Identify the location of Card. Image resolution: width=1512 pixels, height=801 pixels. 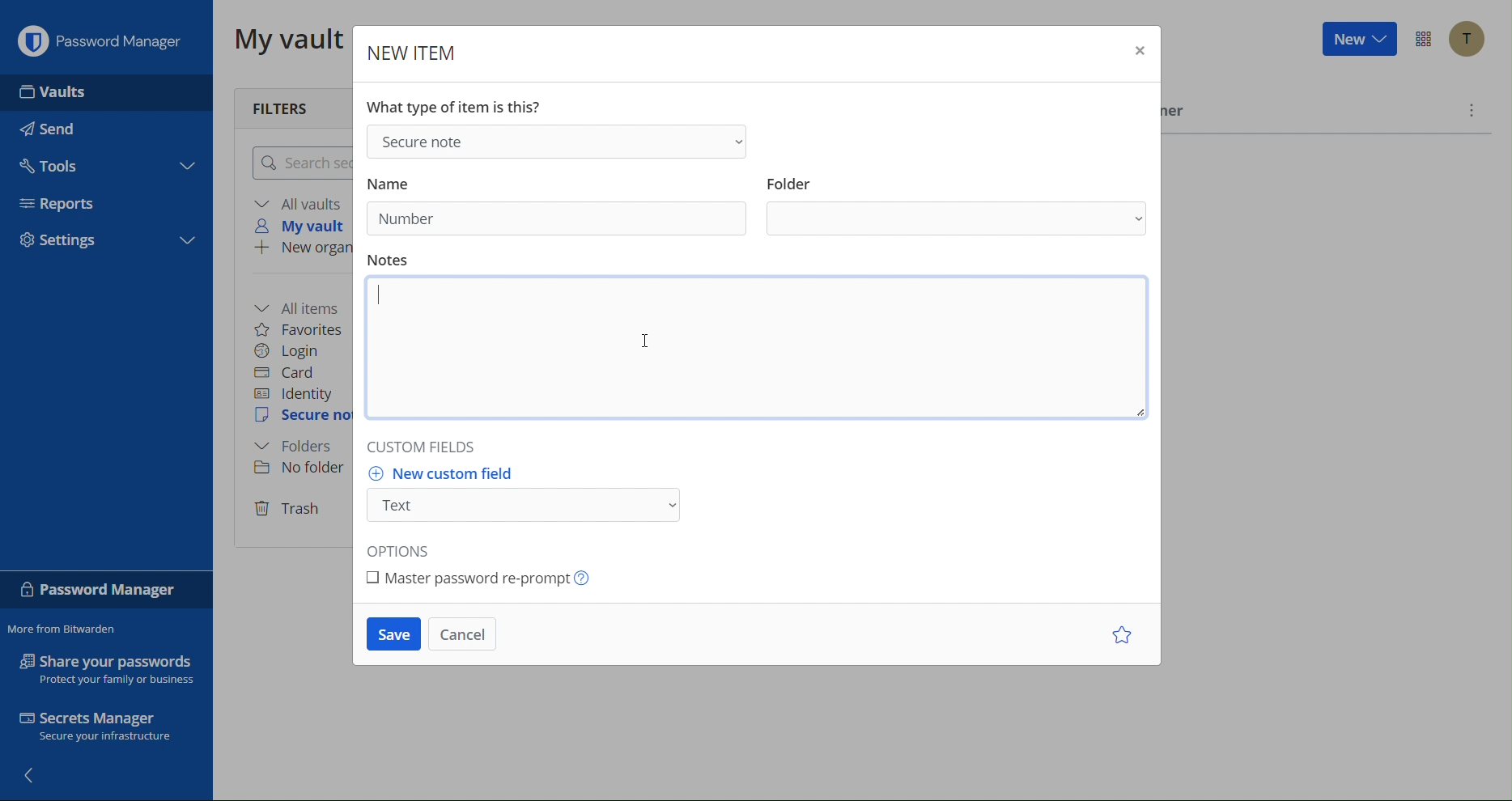
(293, 371).